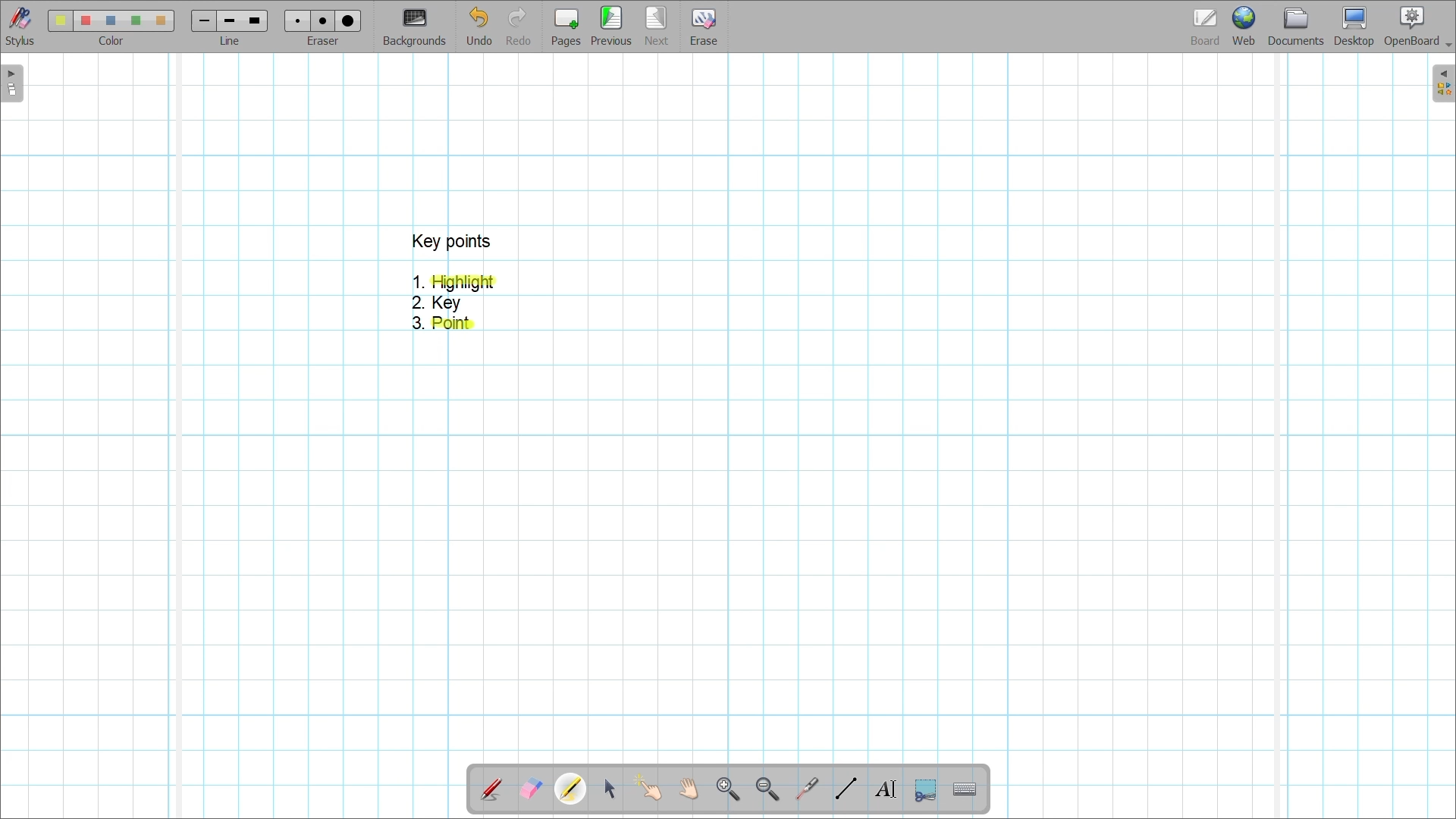 The height and width of the screenshot is (819, 1456). Describe the element at coordinates (108, 41) in the screenshot. I see `color` at that location.